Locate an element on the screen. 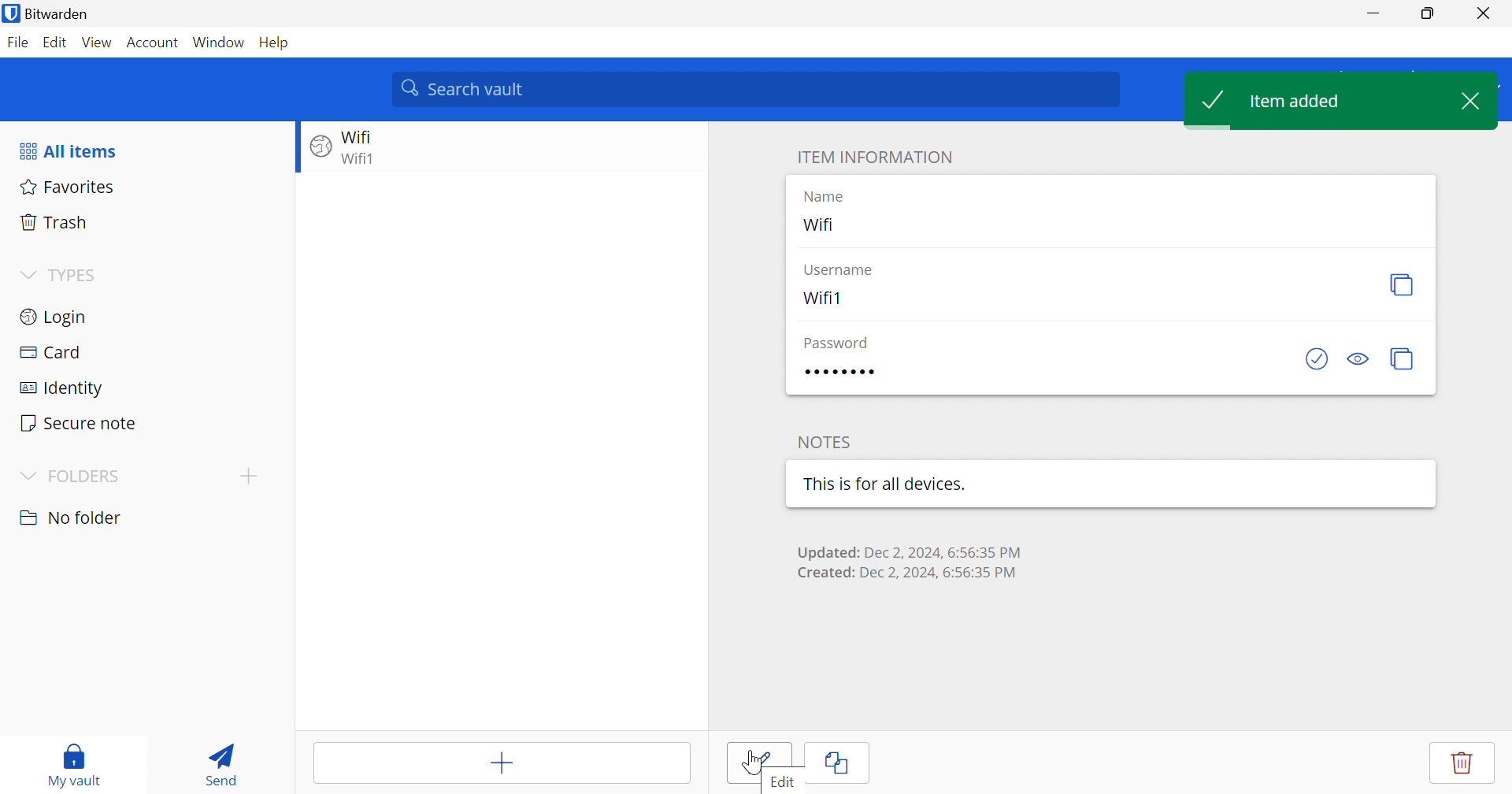 The width and height of the screenshot is (1512, 794). Password is located at coordinates (842, 372).